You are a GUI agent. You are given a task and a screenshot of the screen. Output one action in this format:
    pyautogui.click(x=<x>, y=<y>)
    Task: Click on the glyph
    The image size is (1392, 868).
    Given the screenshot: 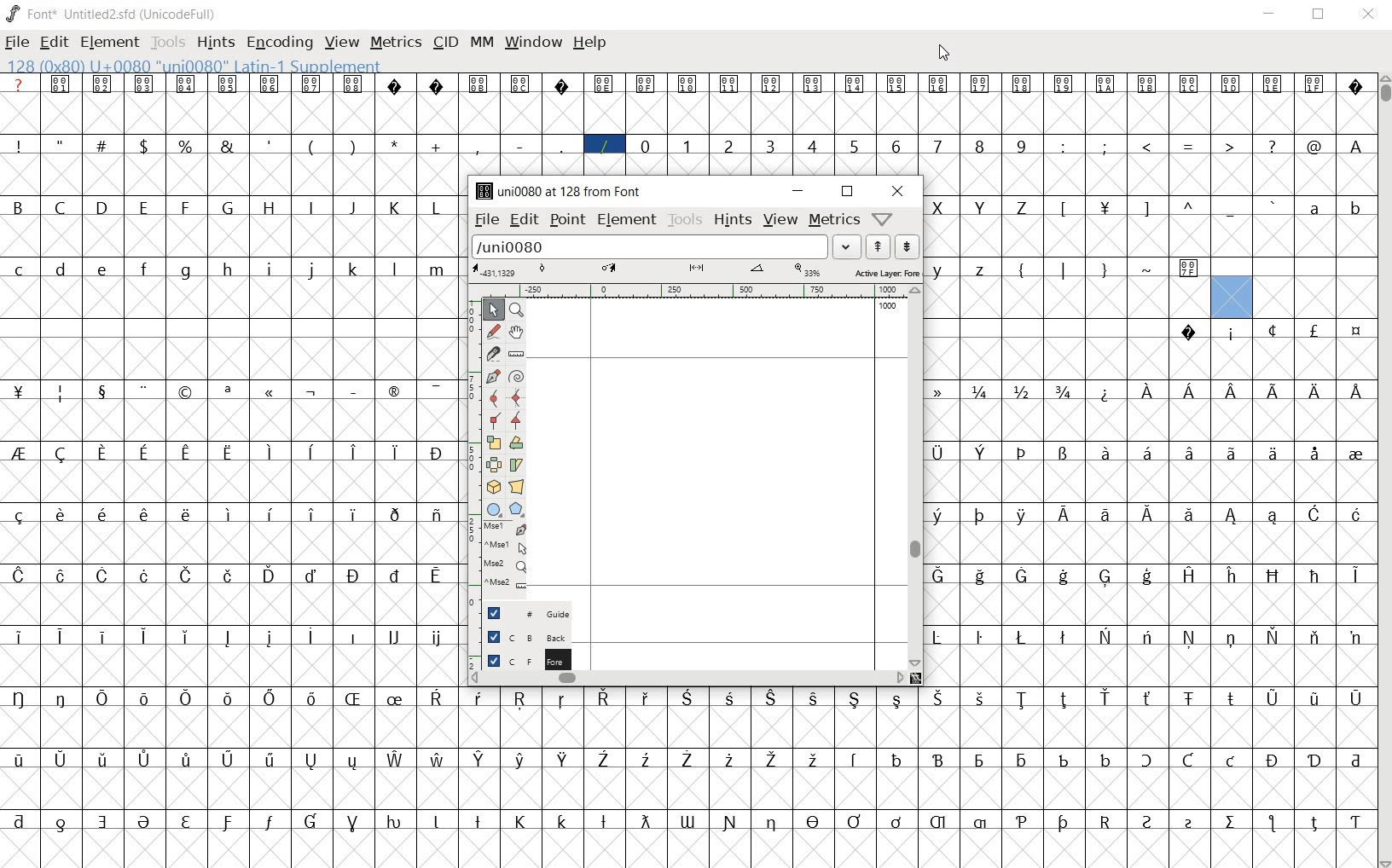 What is the action you would take?
    pyautogui.click(x=270, y=698)
    